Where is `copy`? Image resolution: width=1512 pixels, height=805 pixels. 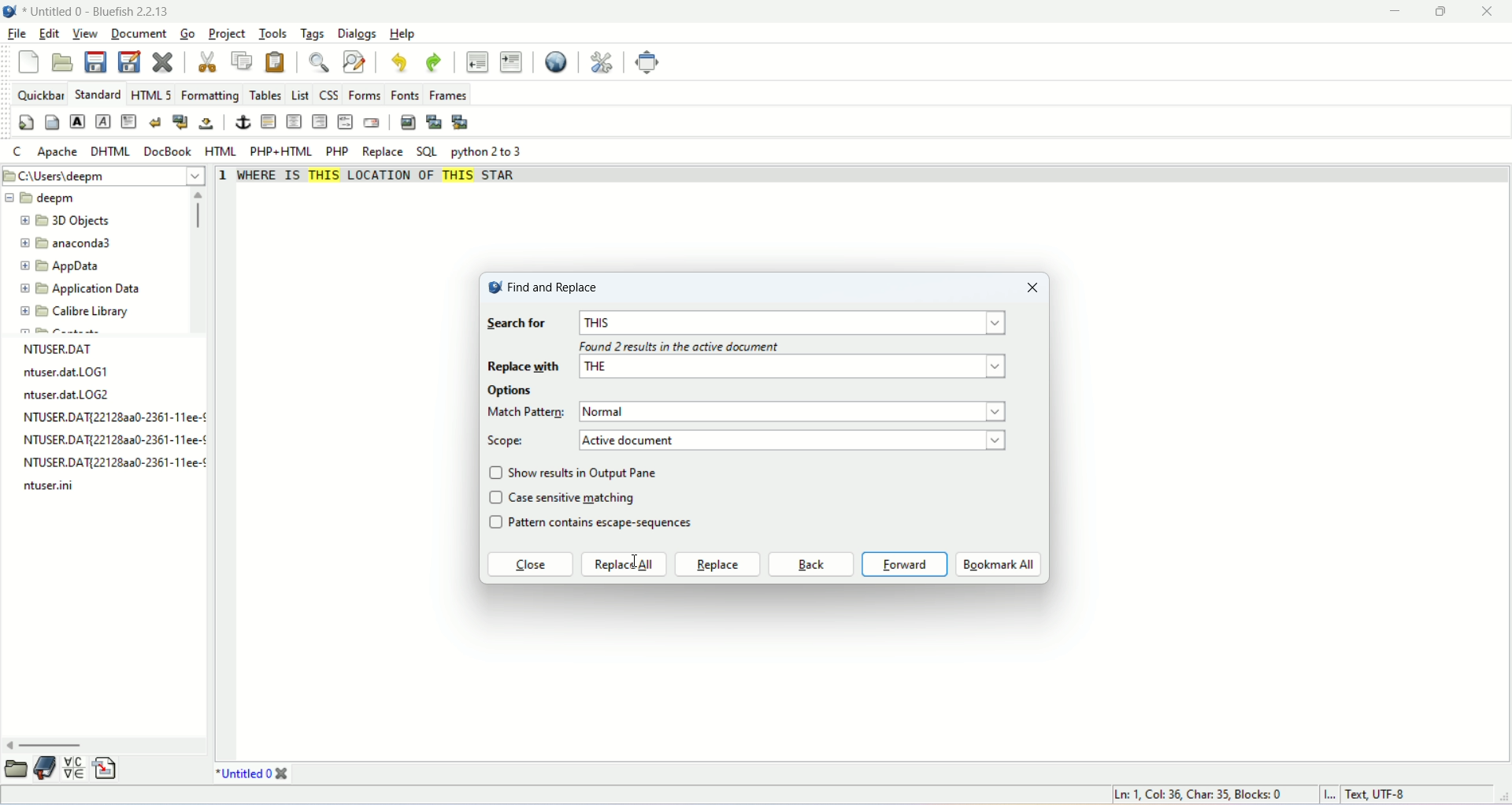 copy is located at coordinates (243, 60).